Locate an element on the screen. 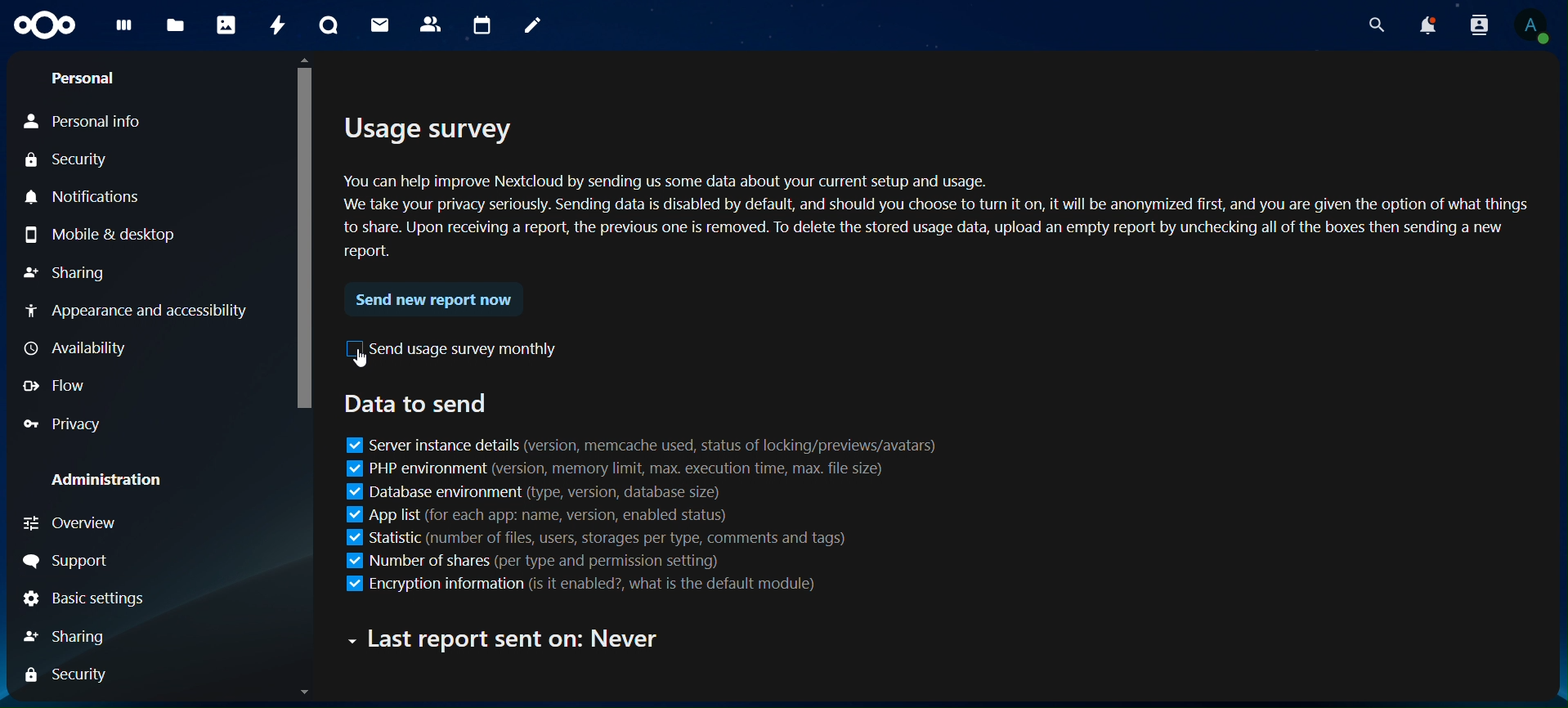  PHP environment is located at coordinates (615, 470).